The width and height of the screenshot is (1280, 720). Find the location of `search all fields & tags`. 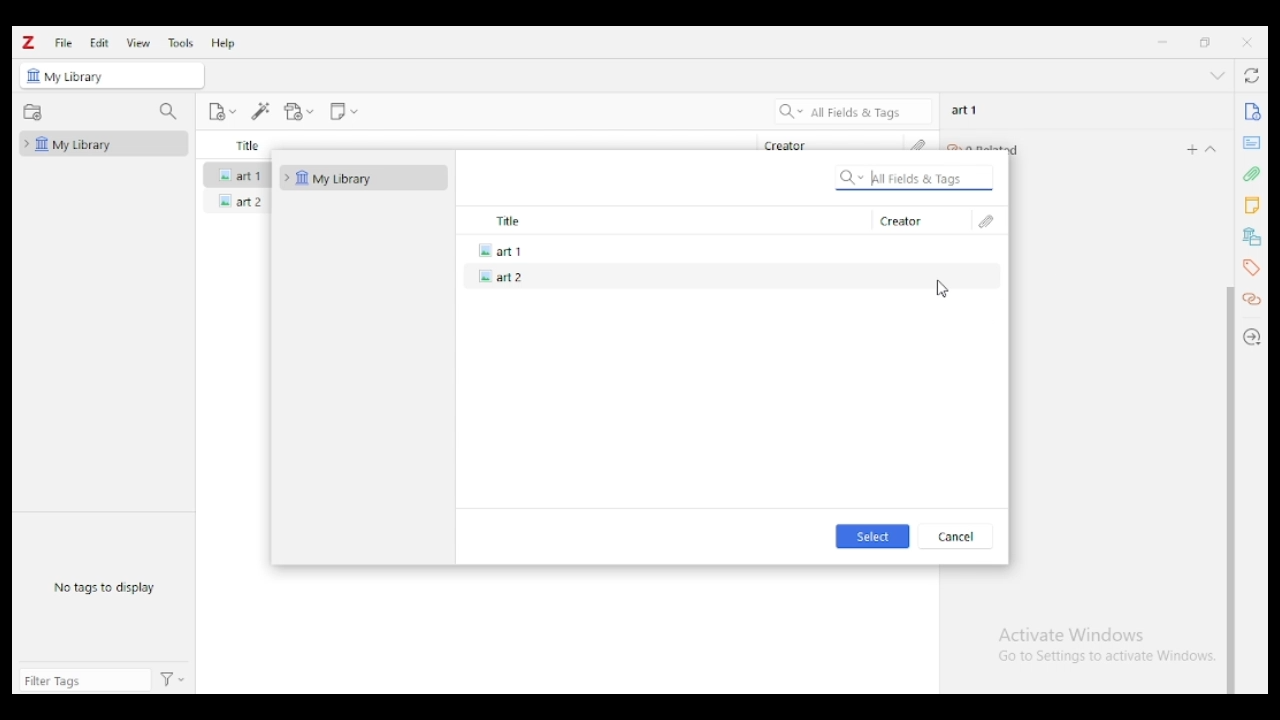

search all fields & tags is located at coordinates (854, 111).